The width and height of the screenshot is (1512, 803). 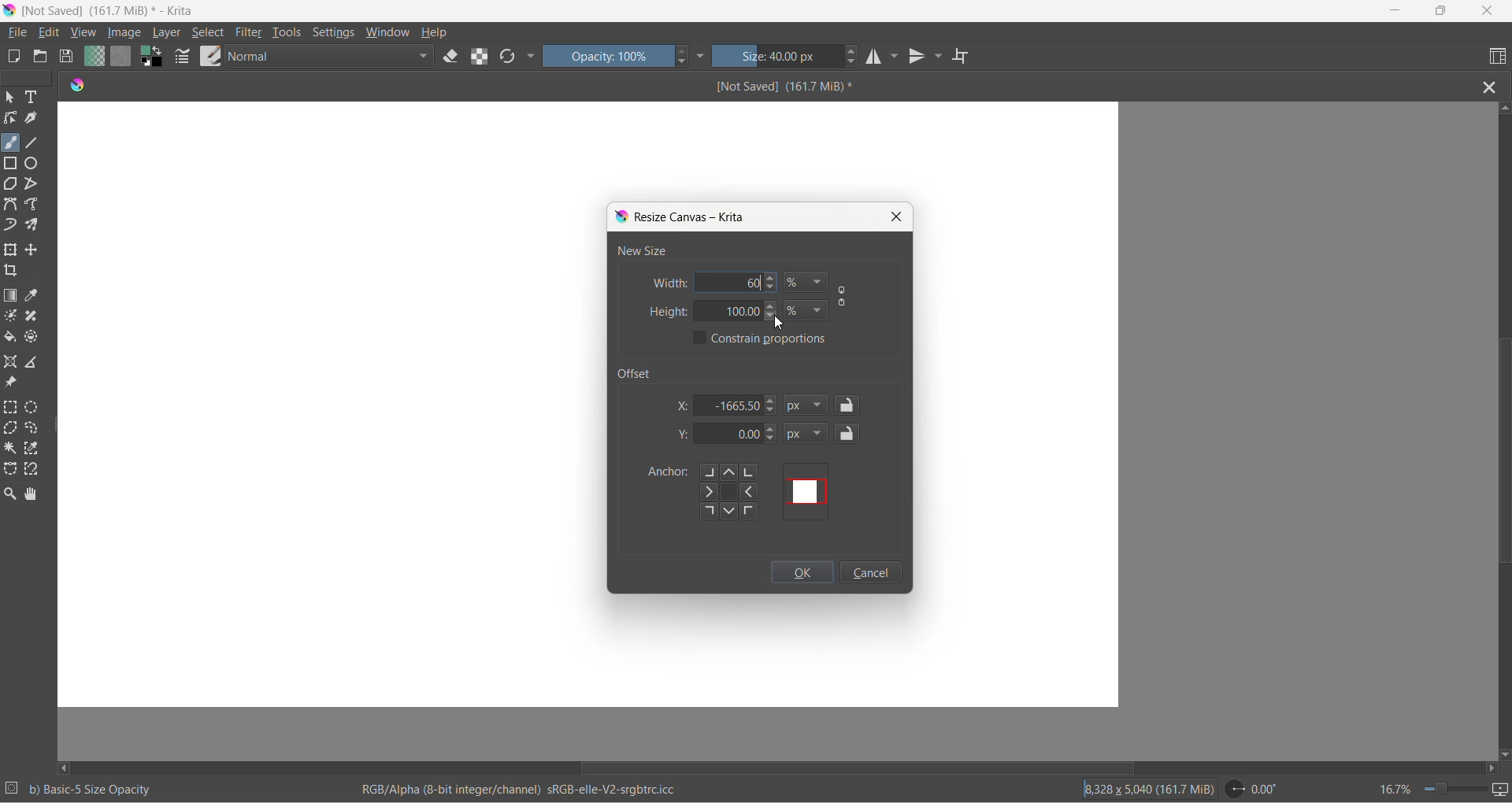 I want to click on enclose and fill tool, so click(x=30, y=340).